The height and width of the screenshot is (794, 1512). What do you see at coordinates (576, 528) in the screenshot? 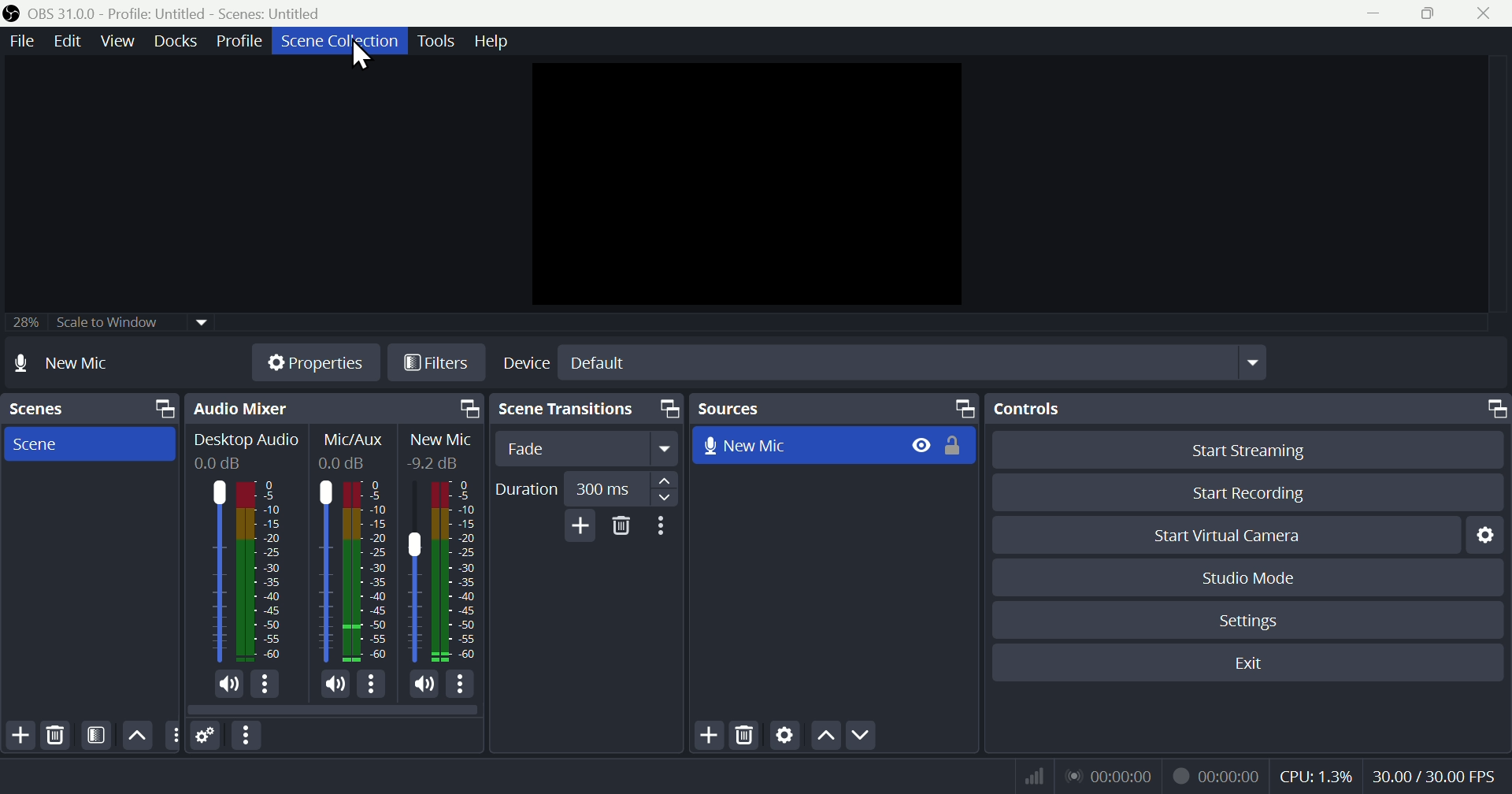
I see `Add ` at bounding box center [576, 528].